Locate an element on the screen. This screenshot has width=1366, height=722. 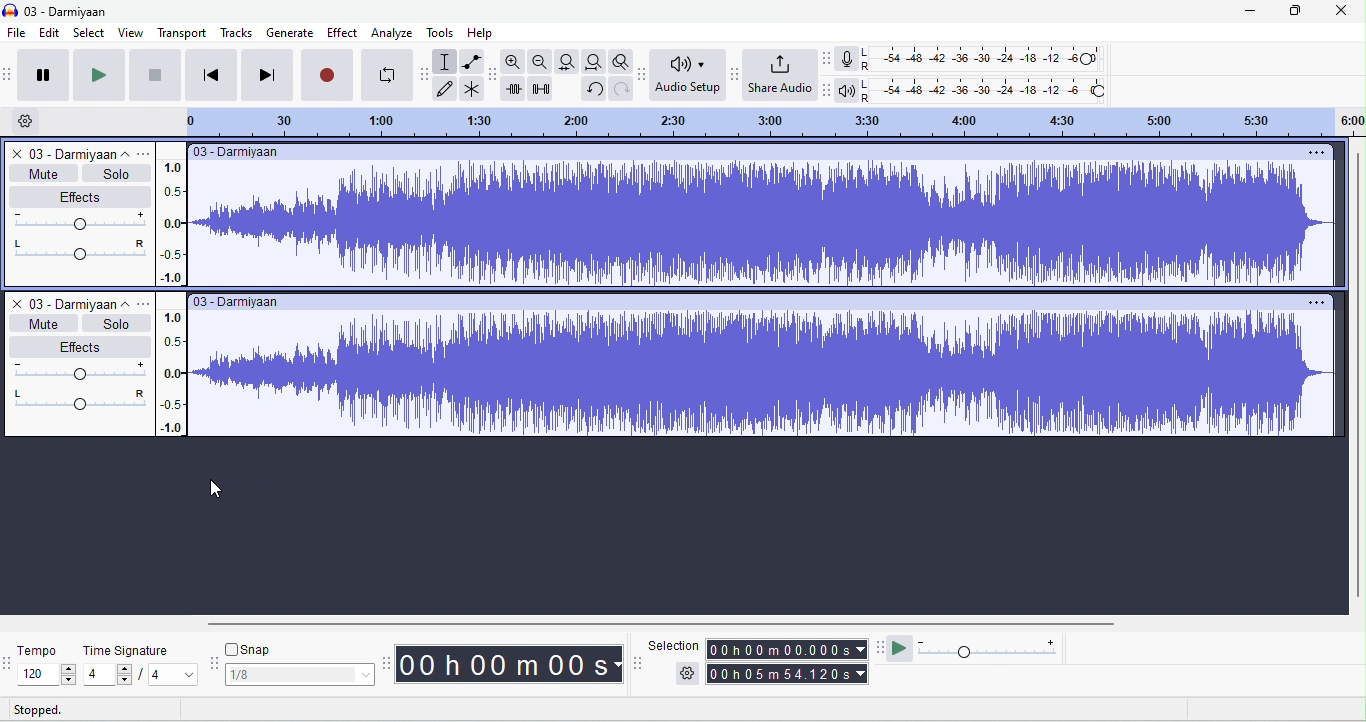
tracks is located at coordinates (235, 34).